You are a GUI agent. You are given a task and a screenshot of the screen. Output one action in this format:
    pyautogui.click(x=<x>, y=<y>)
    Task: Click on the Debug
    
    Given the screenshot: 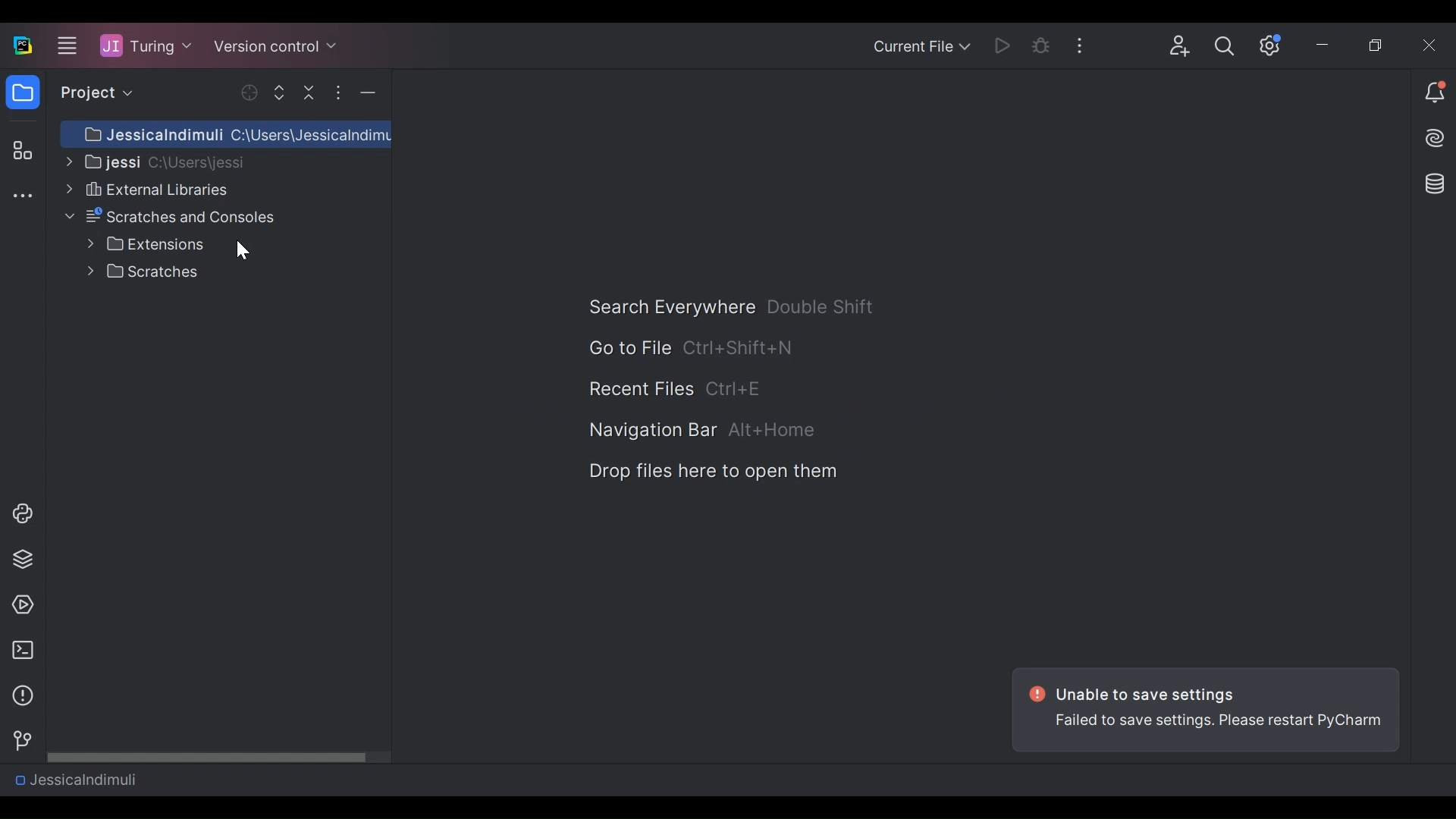 What is the action you would take?
    pyautogui.click(x=1042, y=45)
    